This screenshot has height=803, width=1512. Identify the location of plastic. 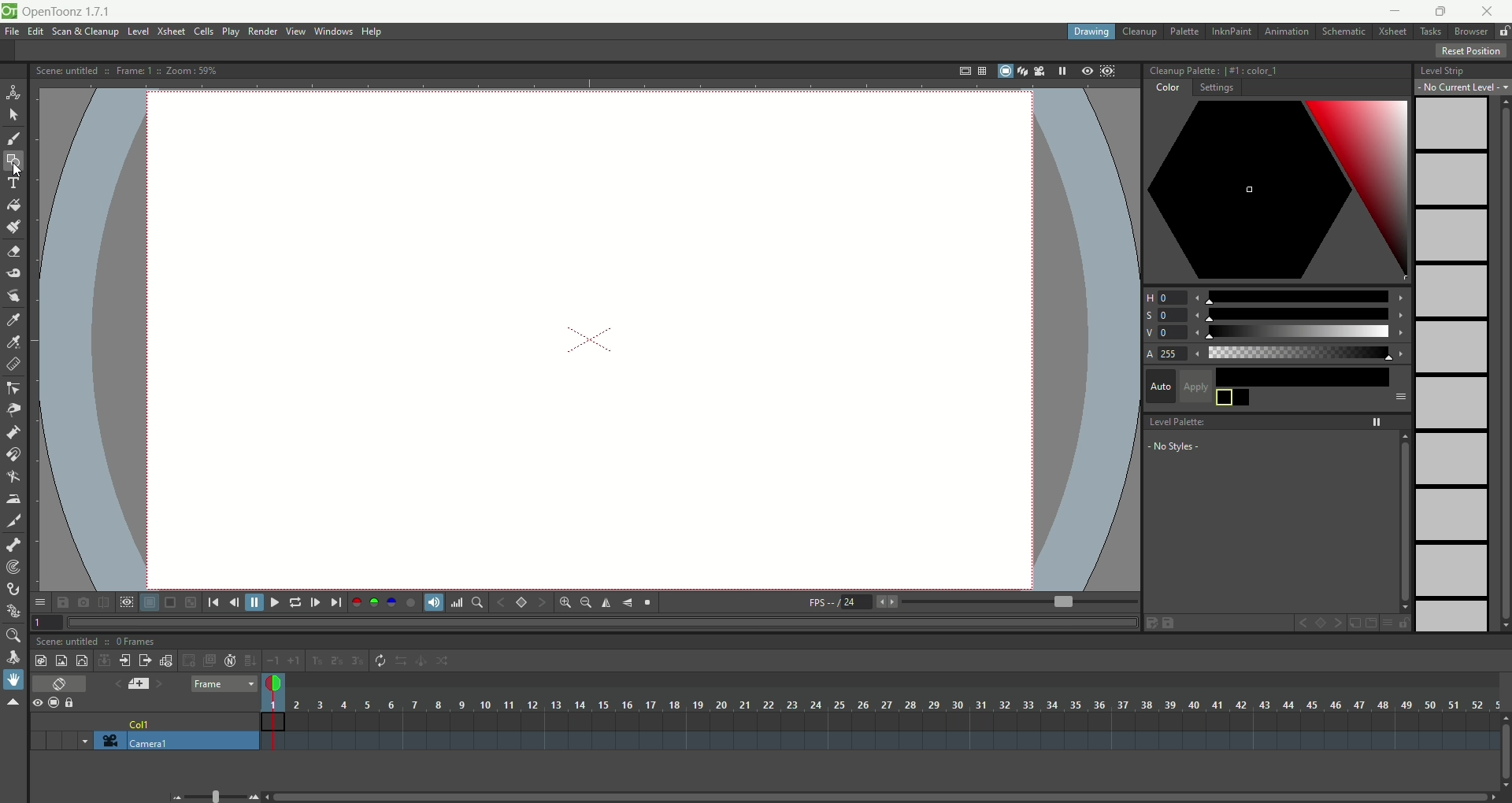
(12, 612).